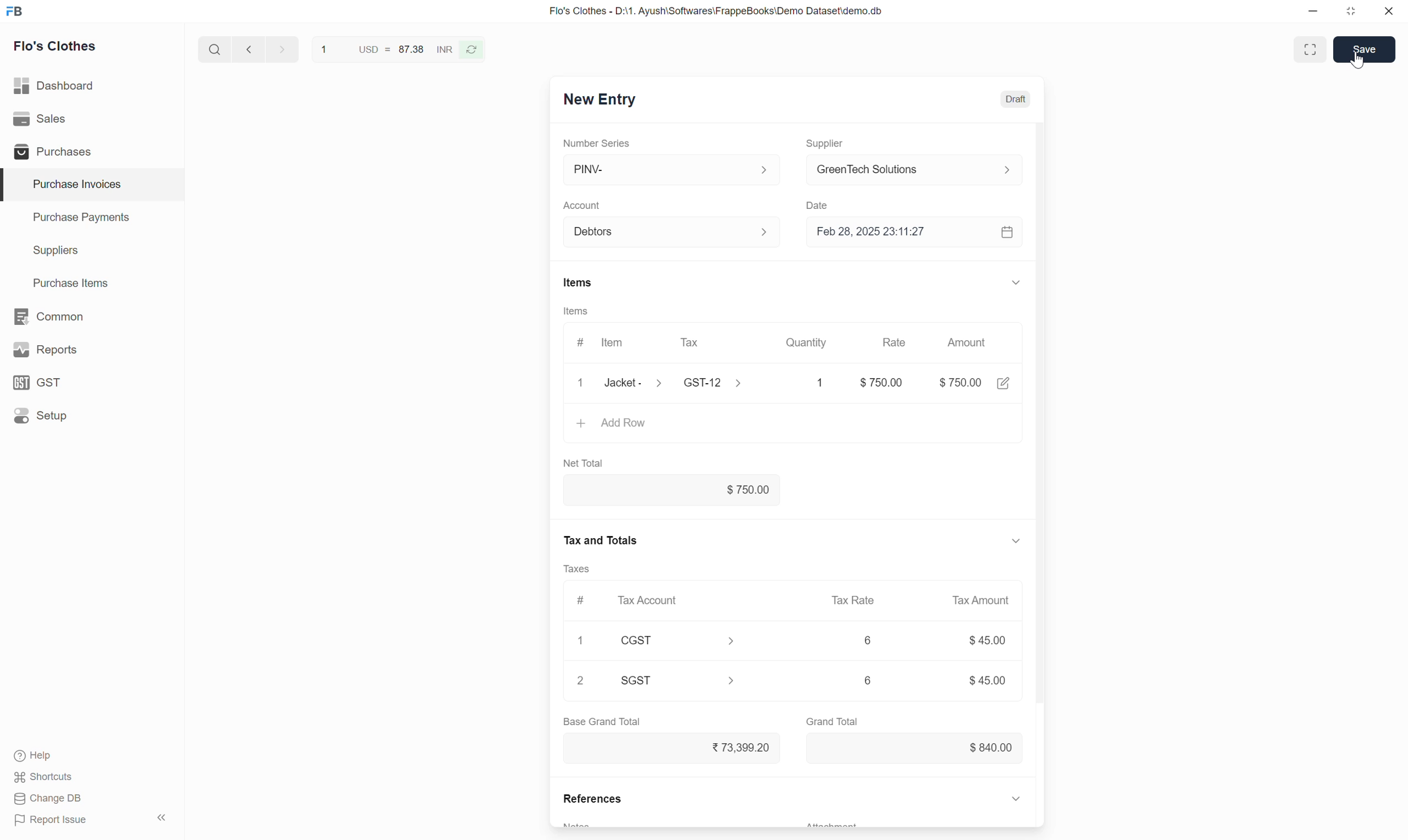 Image resolution: width=1408 pixels, height=840 pixels. What do you see at coordinates (162, 817) in the screenshot?
I see `Collapse` at bounding box center [162, 817].